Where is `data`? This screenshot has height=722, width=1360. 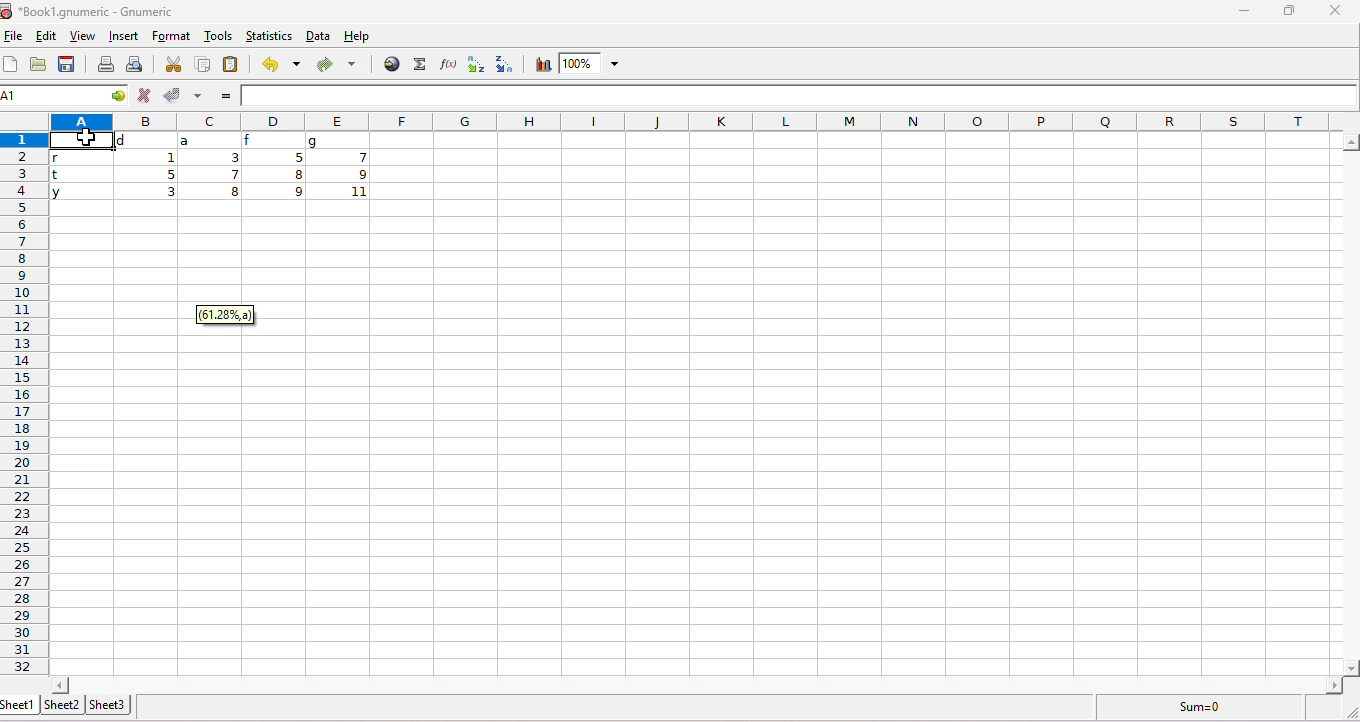 data is located at coordinates (318, 36).